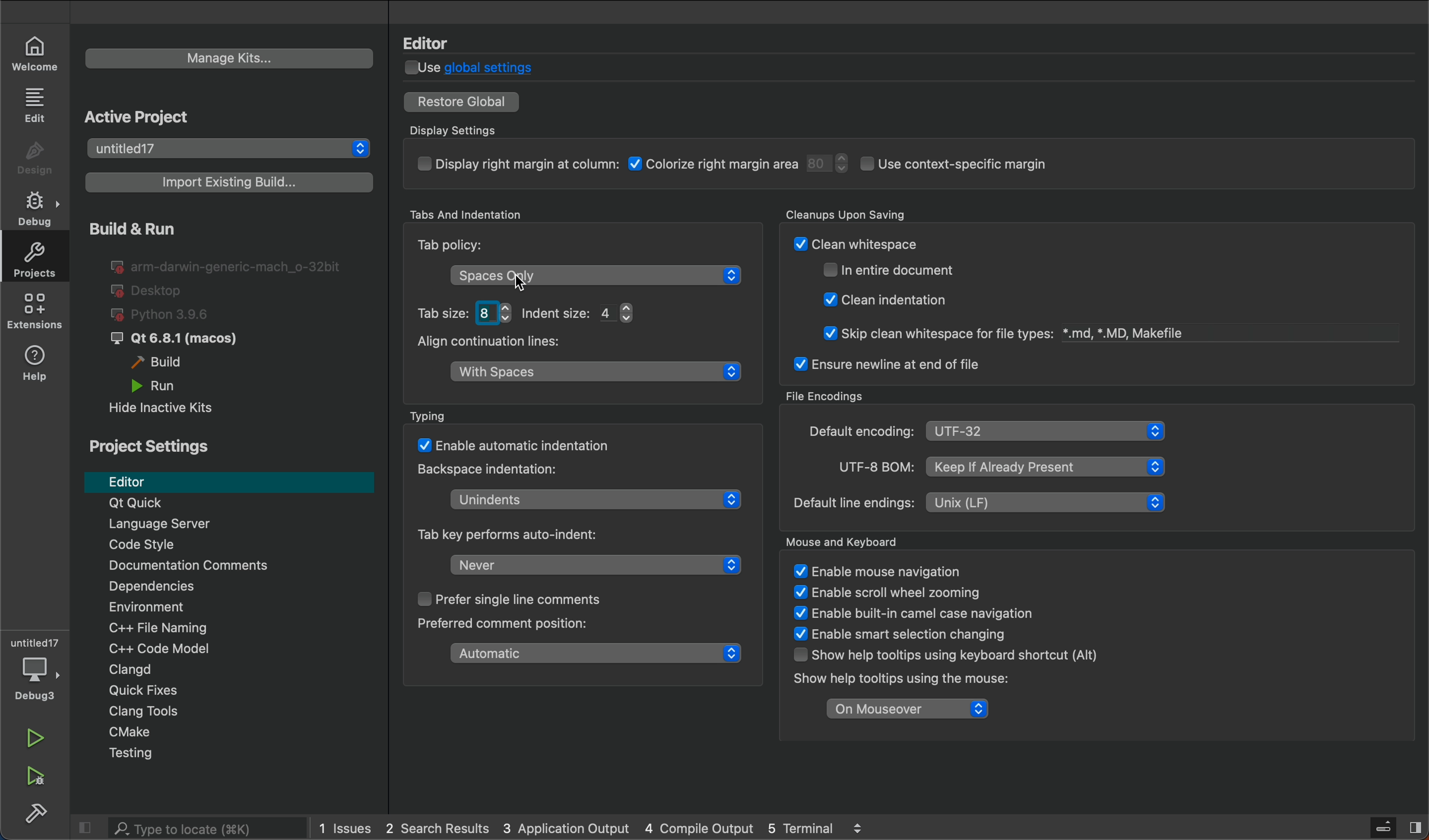 The height and width of the screenshot is (840, 1429). I want to click on build, so click(39, 817).